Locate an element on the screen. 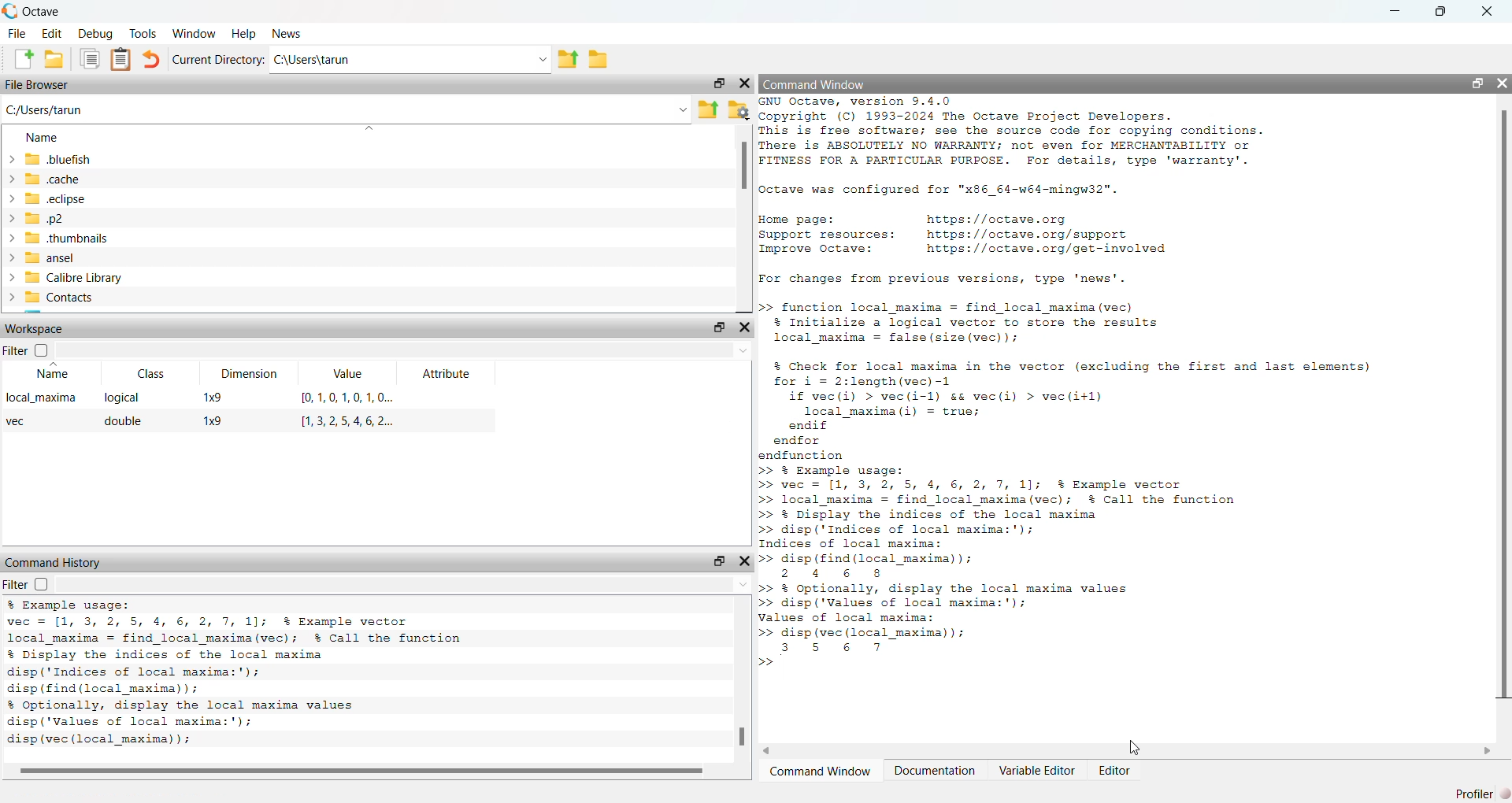 The image size is (1512, 803). vec is located at coordinates (20, 421).